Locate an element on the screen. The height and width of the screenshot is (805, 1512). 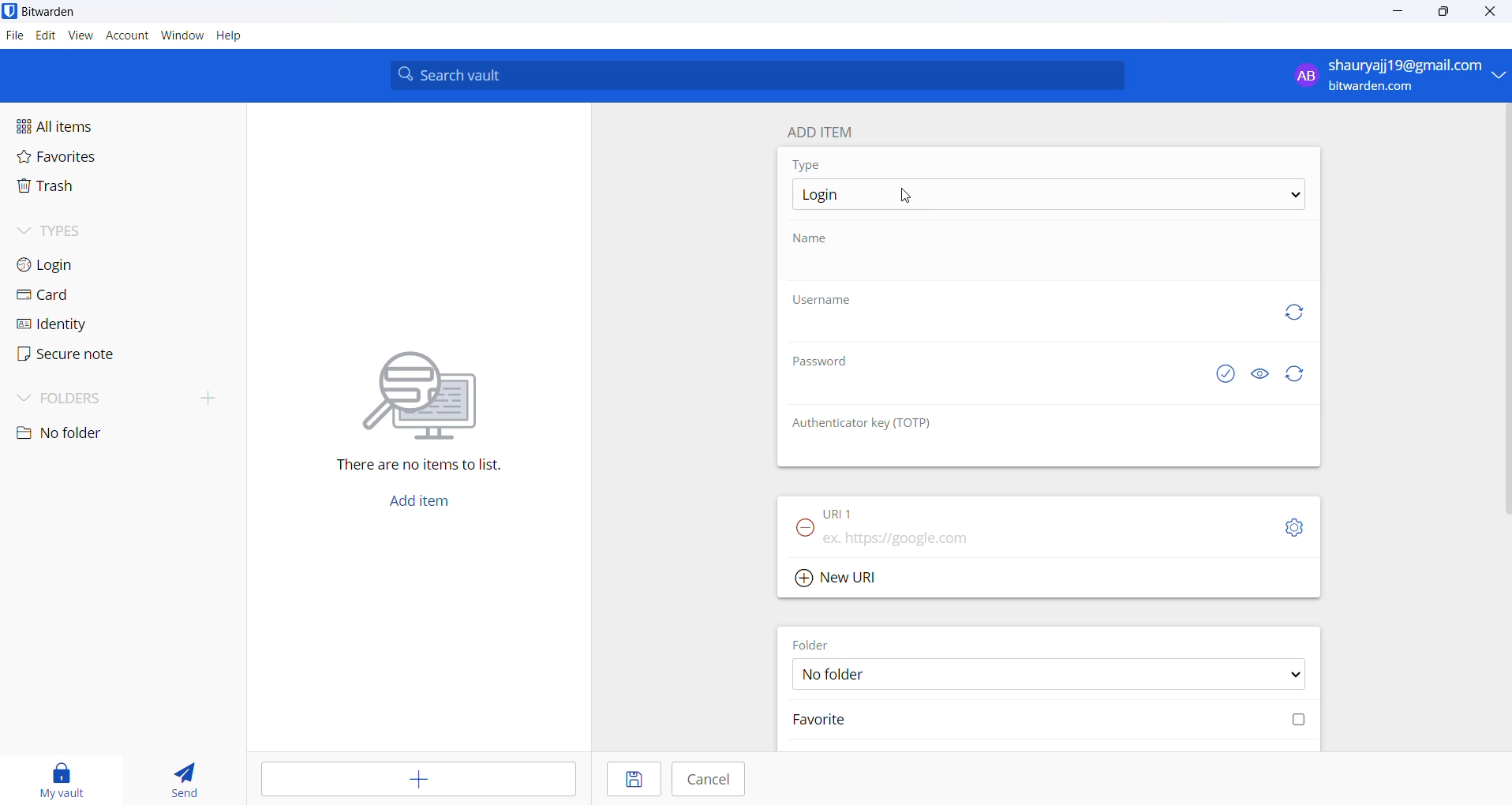
card is located at coordinates (83, 295).